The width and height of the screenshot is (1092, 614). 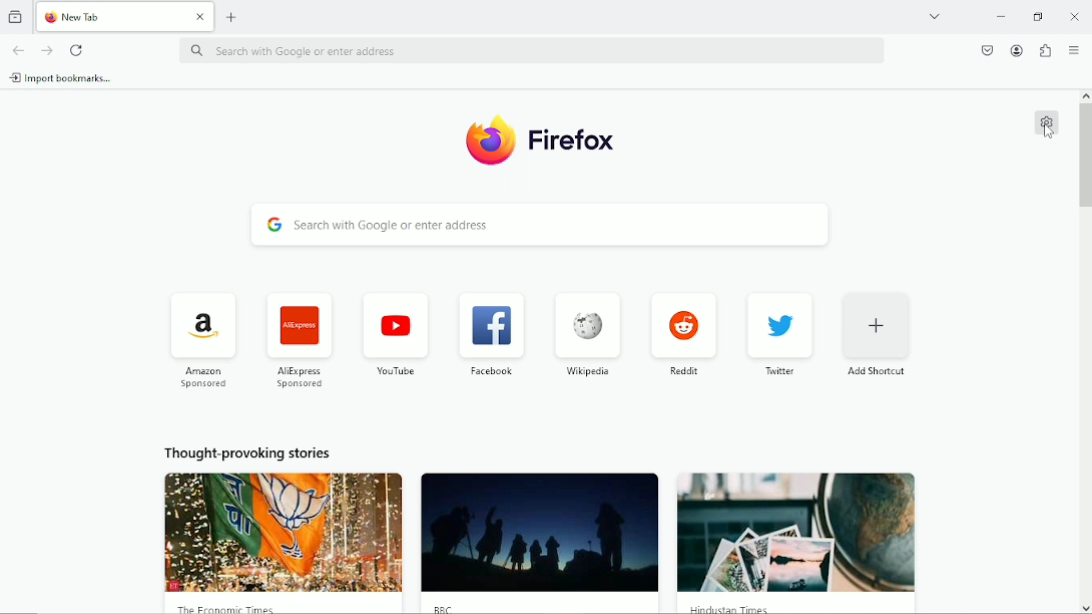 I want to click on View recent browsing across windows and devices, so click(x=17, y=16).